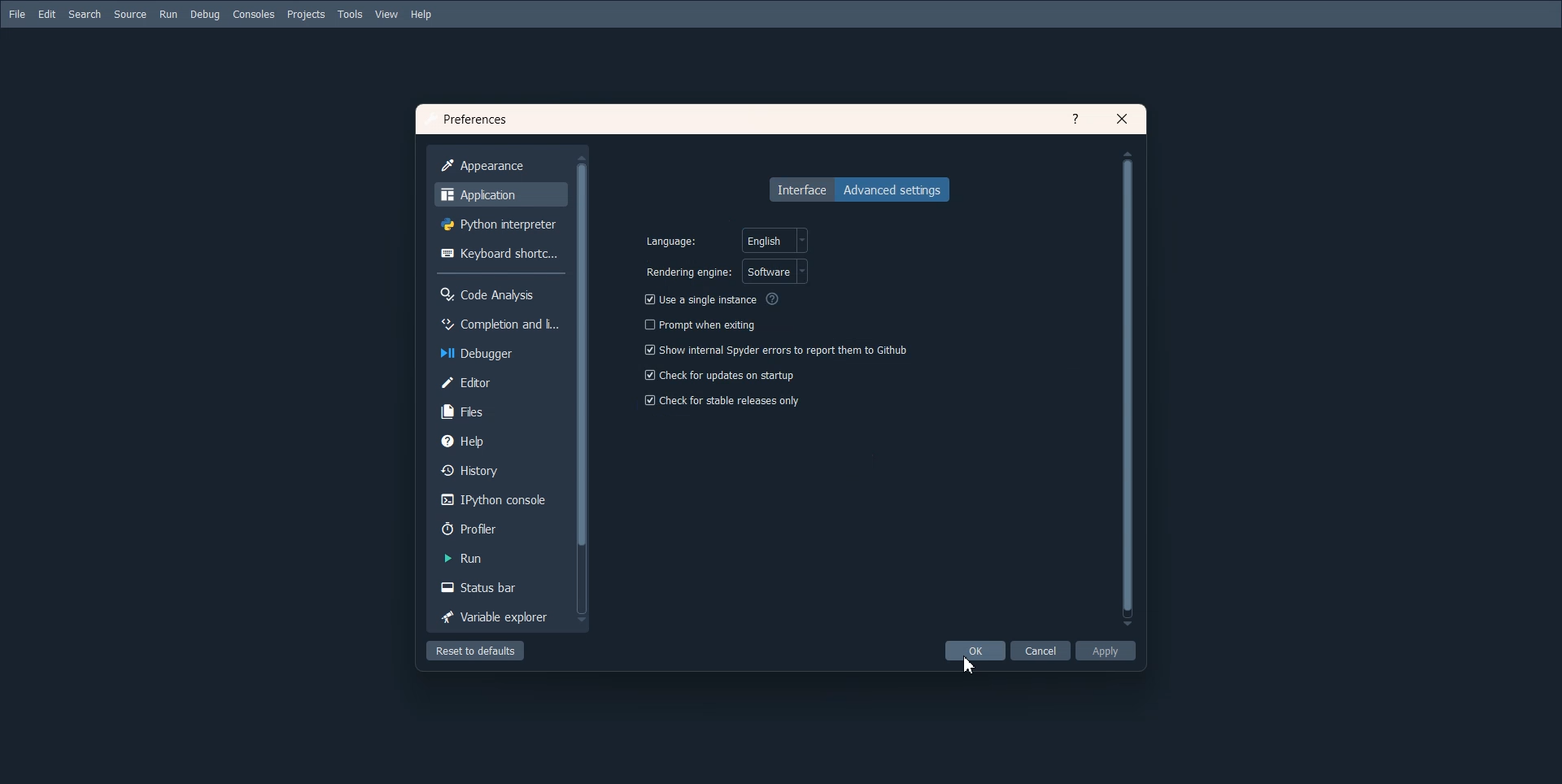 This screenshot has width=1562, height=784. I want to click on Use a single Instance, so click(711, 298).